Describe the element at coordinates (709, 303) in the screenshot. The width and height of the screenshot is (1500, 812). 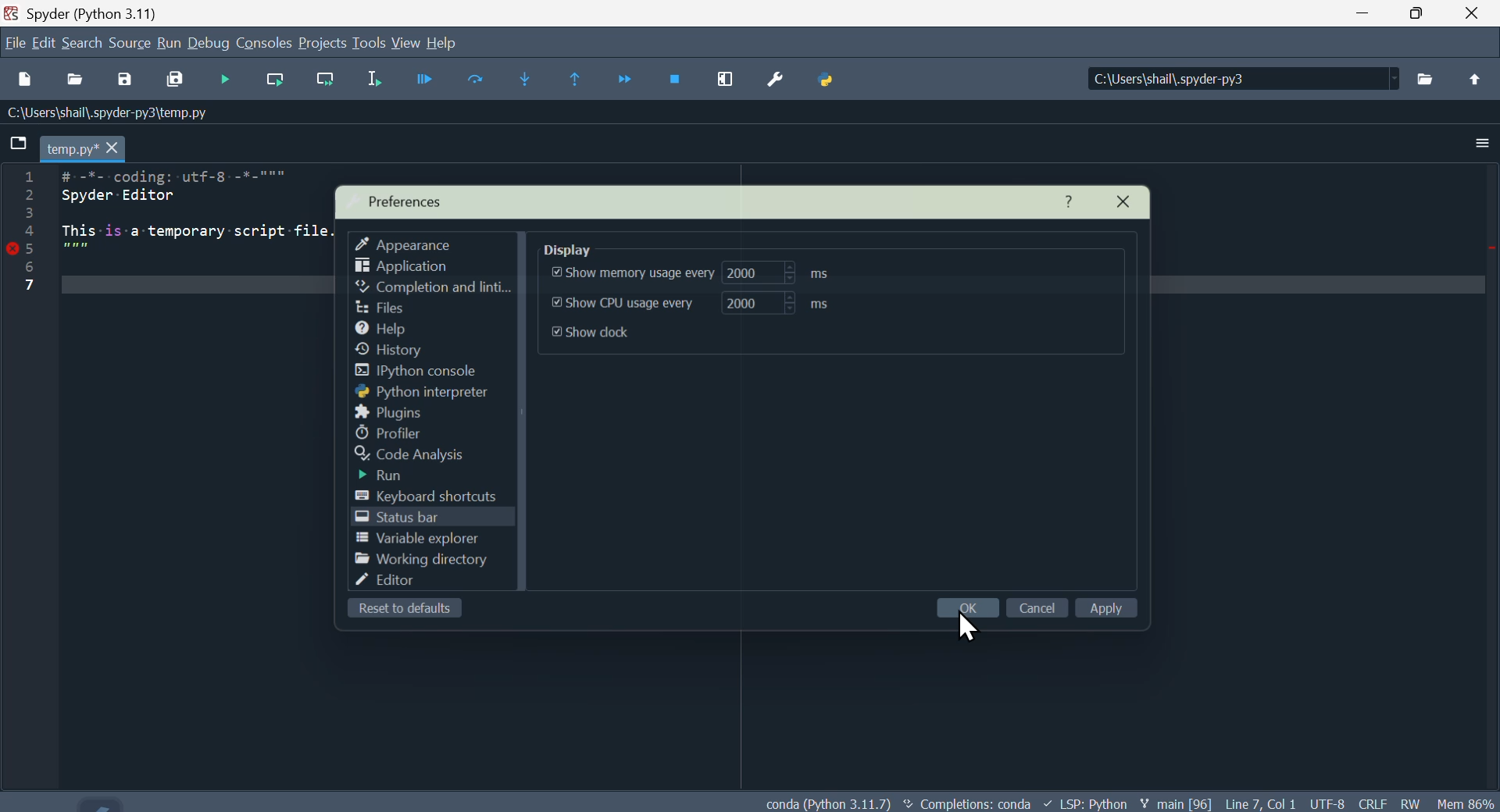
I see `Show C P U usage` at that location.